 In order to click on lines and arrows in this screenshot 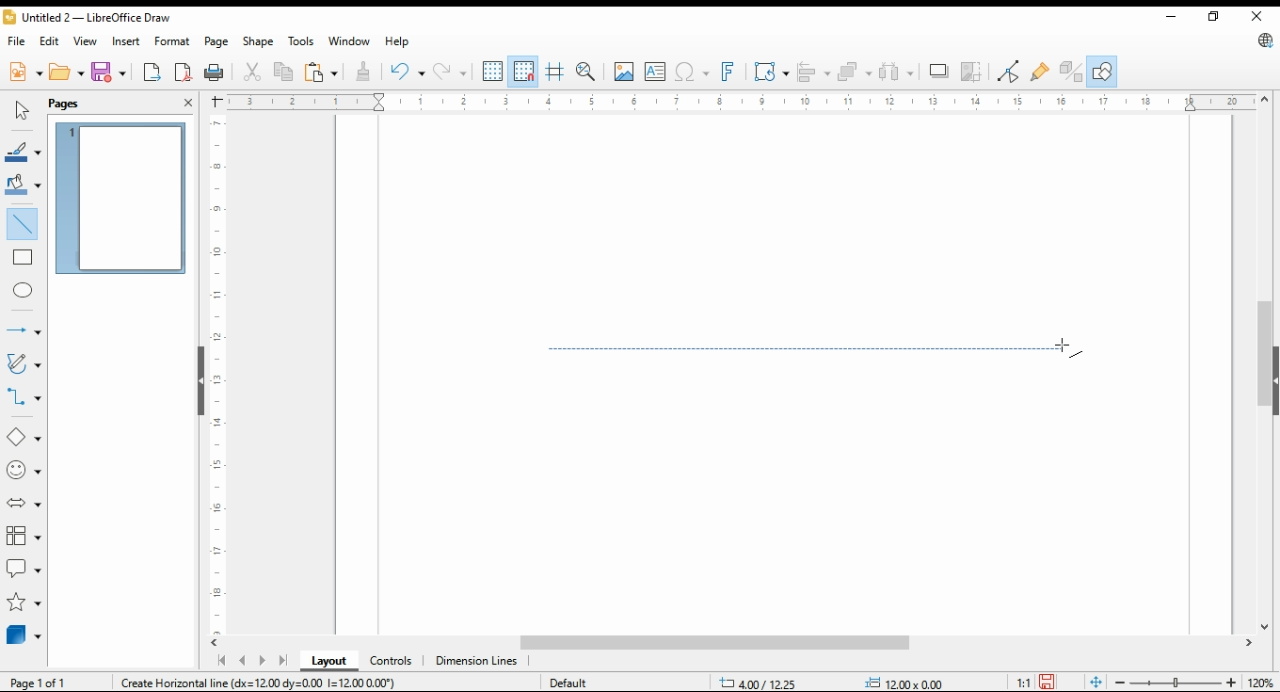, I will do `click(23, 331)`.